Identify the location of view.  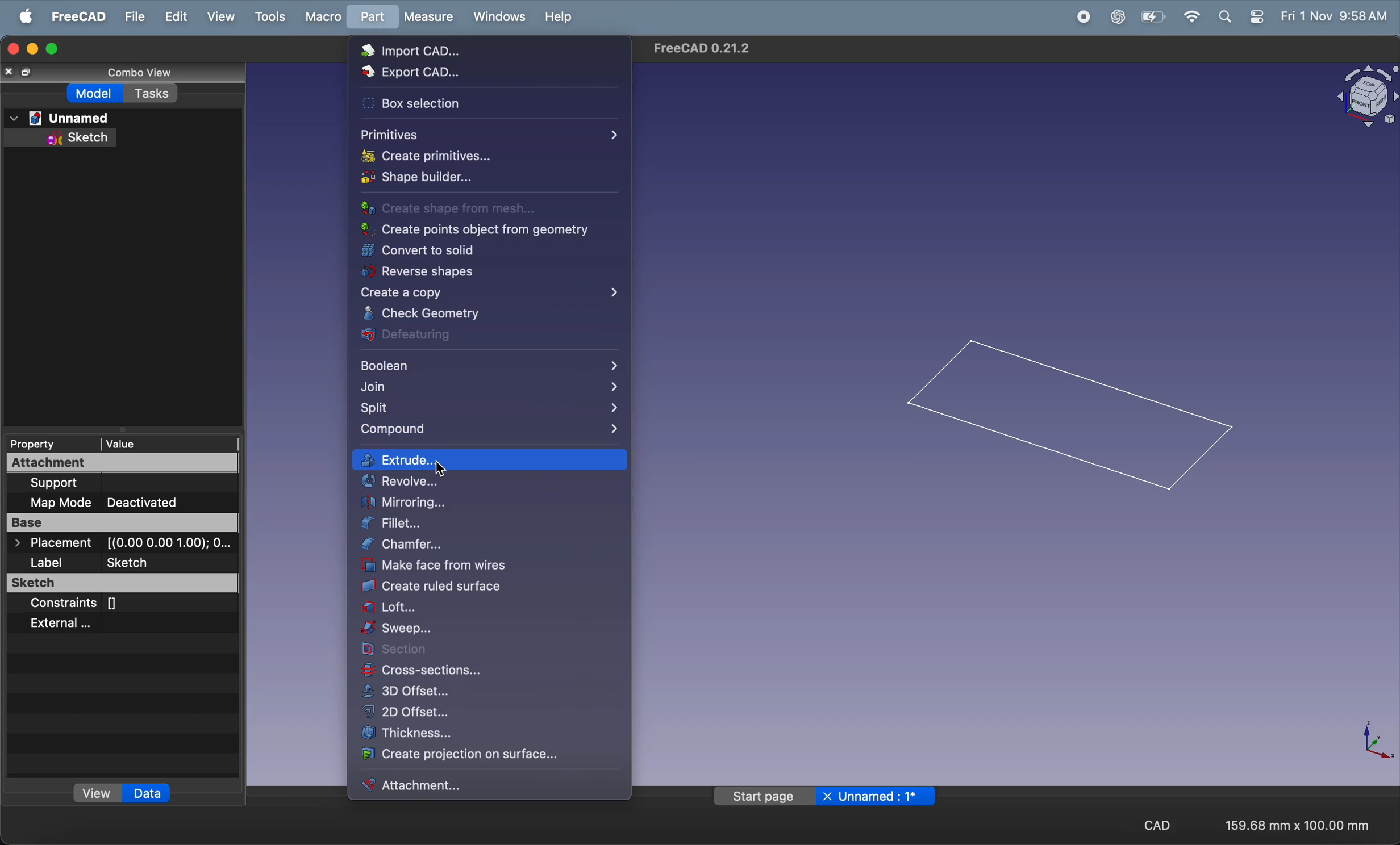
(217, 17).